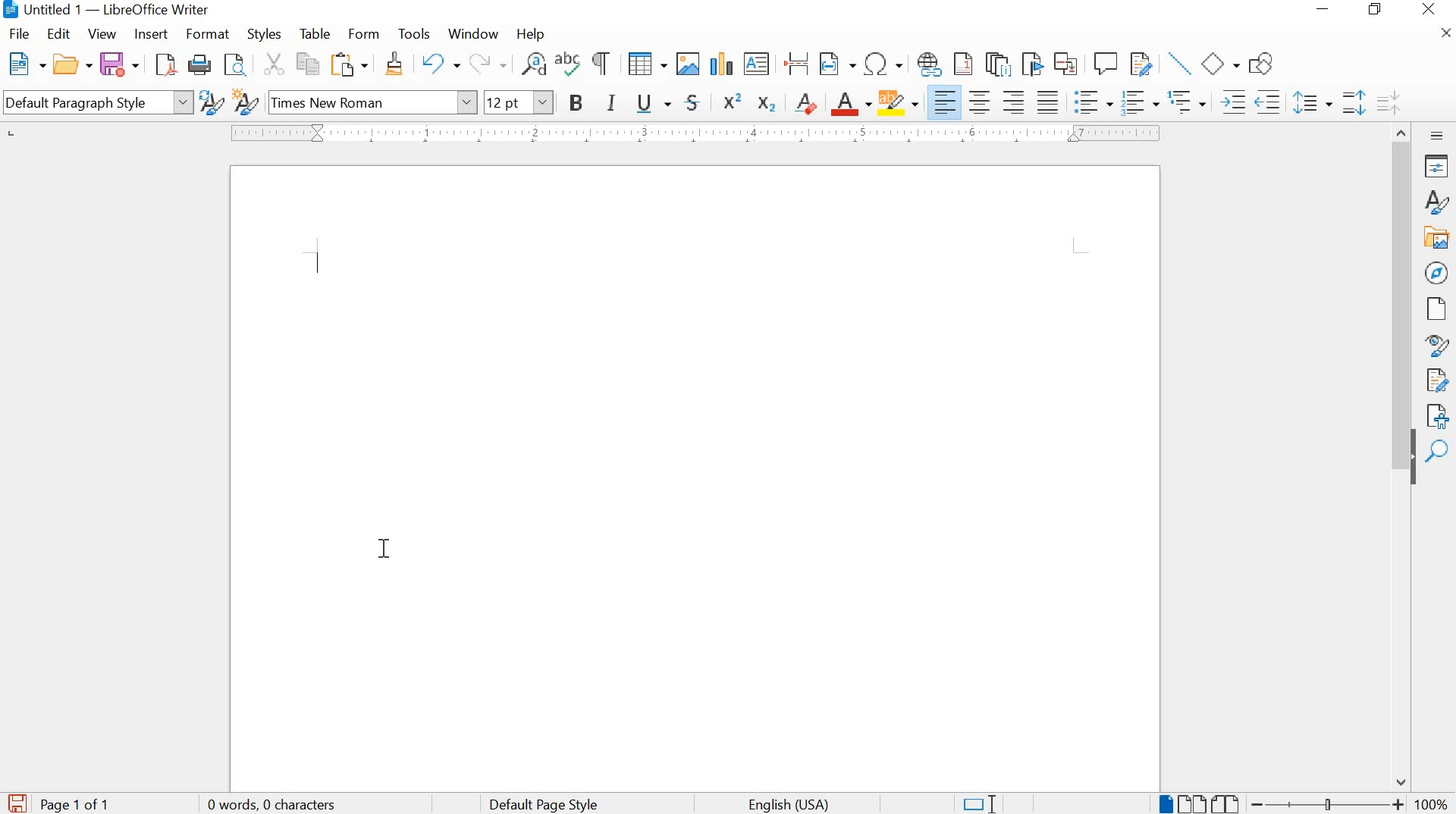 The image size is (1456, 814). Describe the element at coordinates (645, 64) in the screenshot. I see `INSERT TABLE` at that location.